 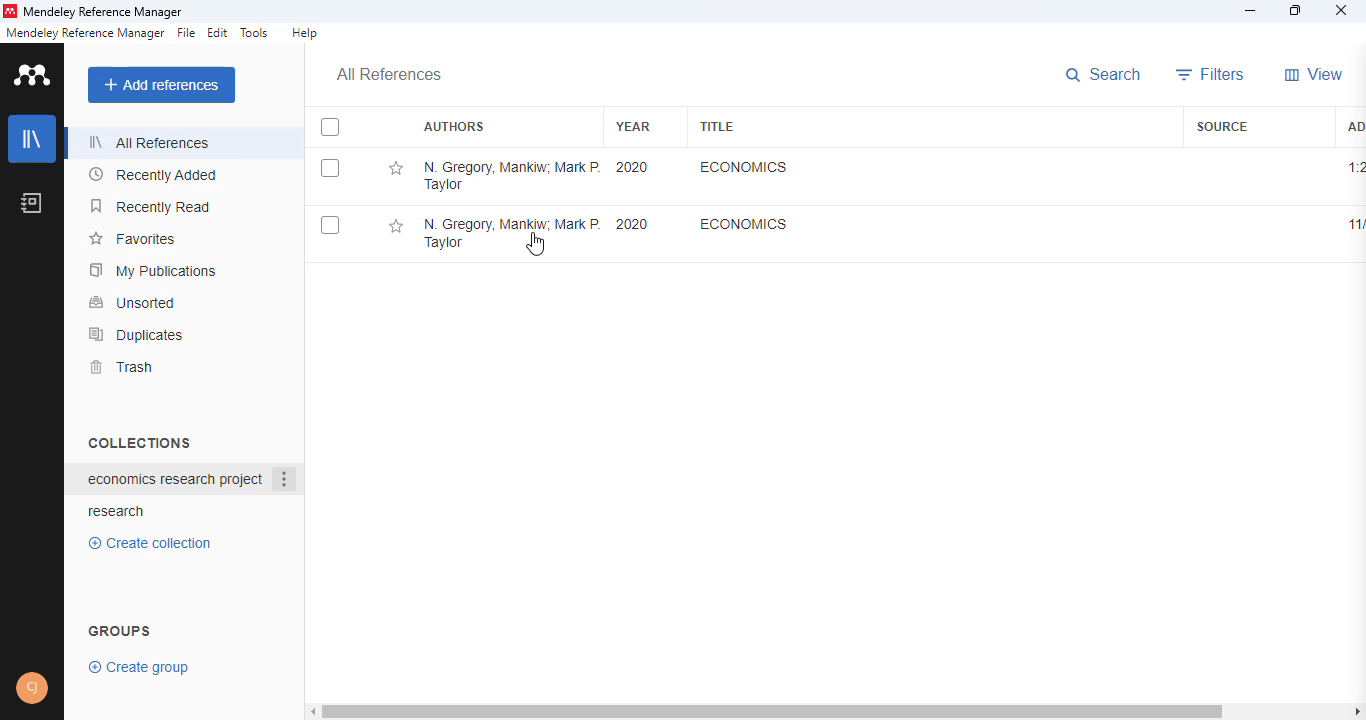 I want to click on unsorted, so click(x=133, y=302).